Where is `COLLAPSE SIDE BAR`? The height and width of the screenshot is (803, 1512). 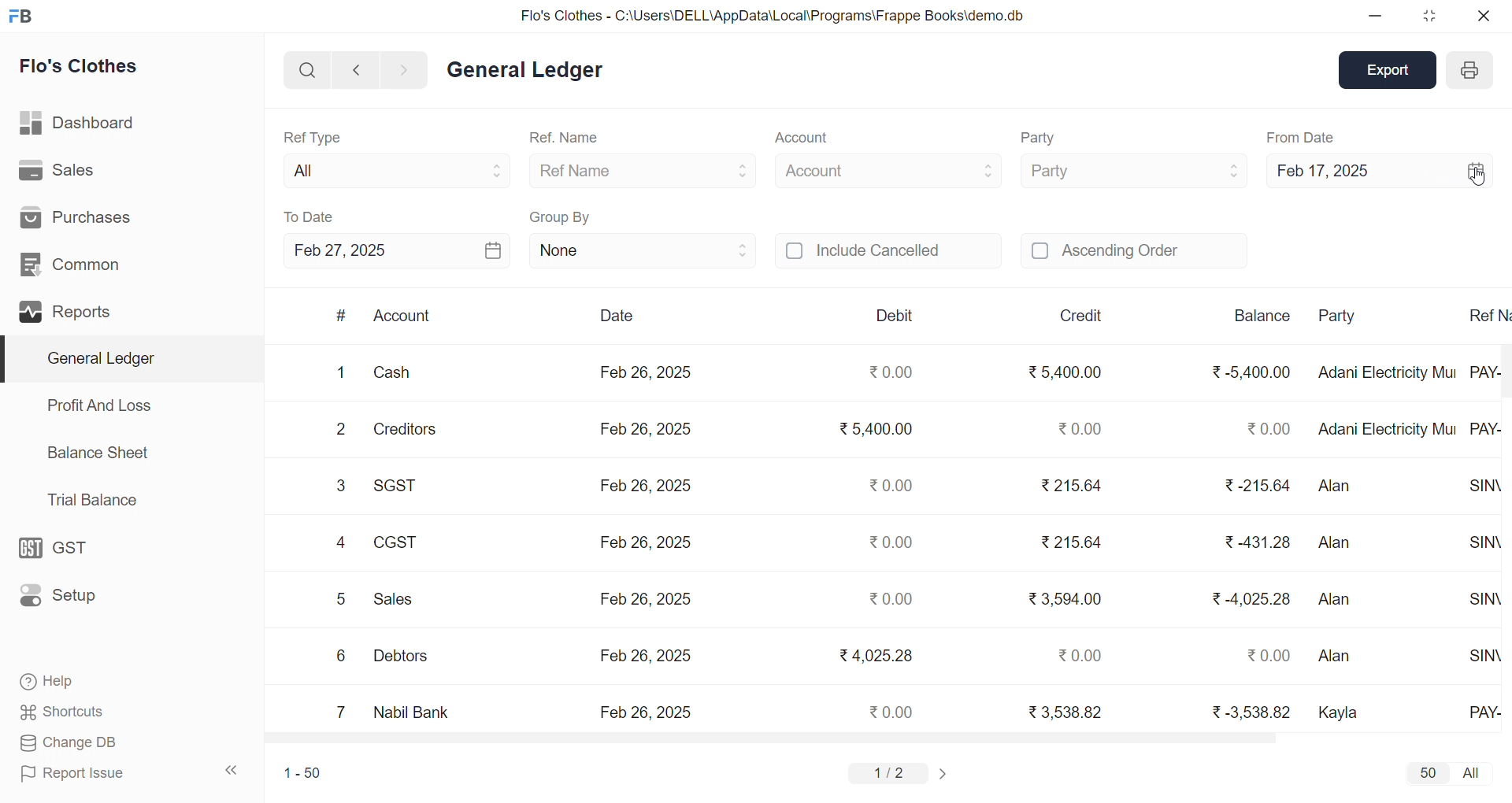 COLLAPSE SIDE BAR is located at coordinates (232, 770).